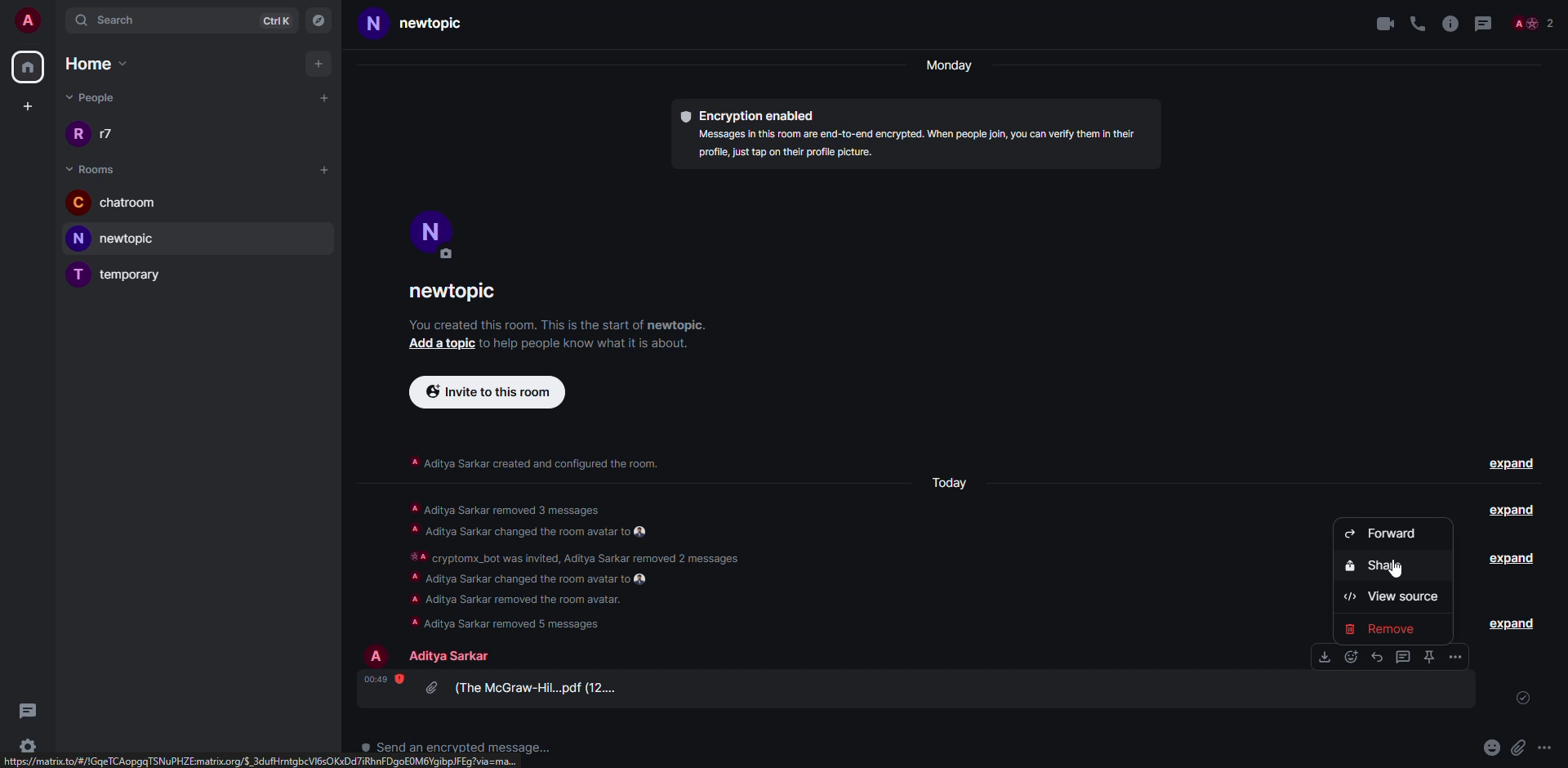 The width and height of the screenshot is (1568, 768). Describe the element at coordinates (28, 20) in the screenshot. I see `account` at that location.